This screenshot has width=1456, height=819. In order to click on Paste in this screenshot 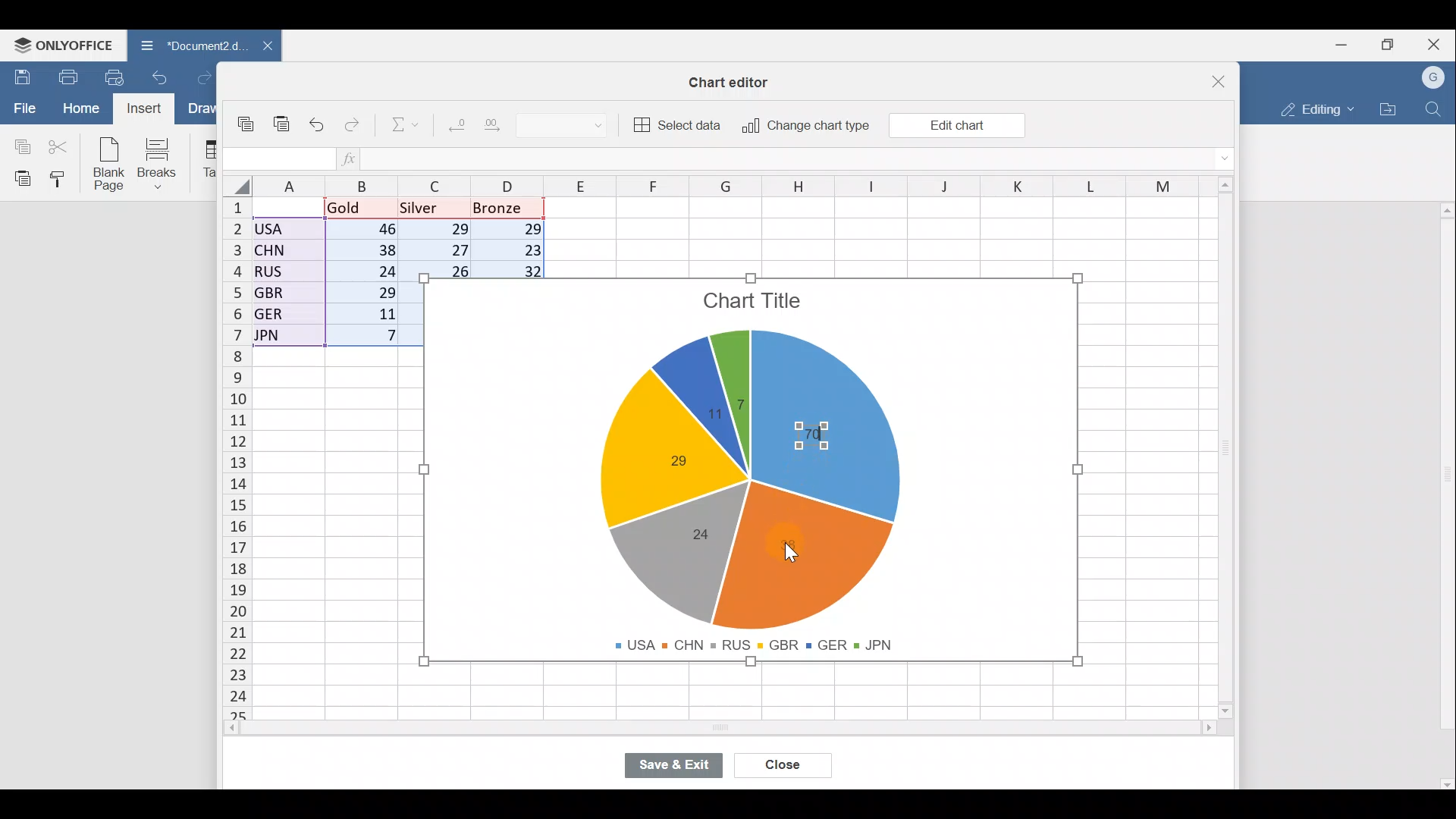, I will do `click(19, 177)`.